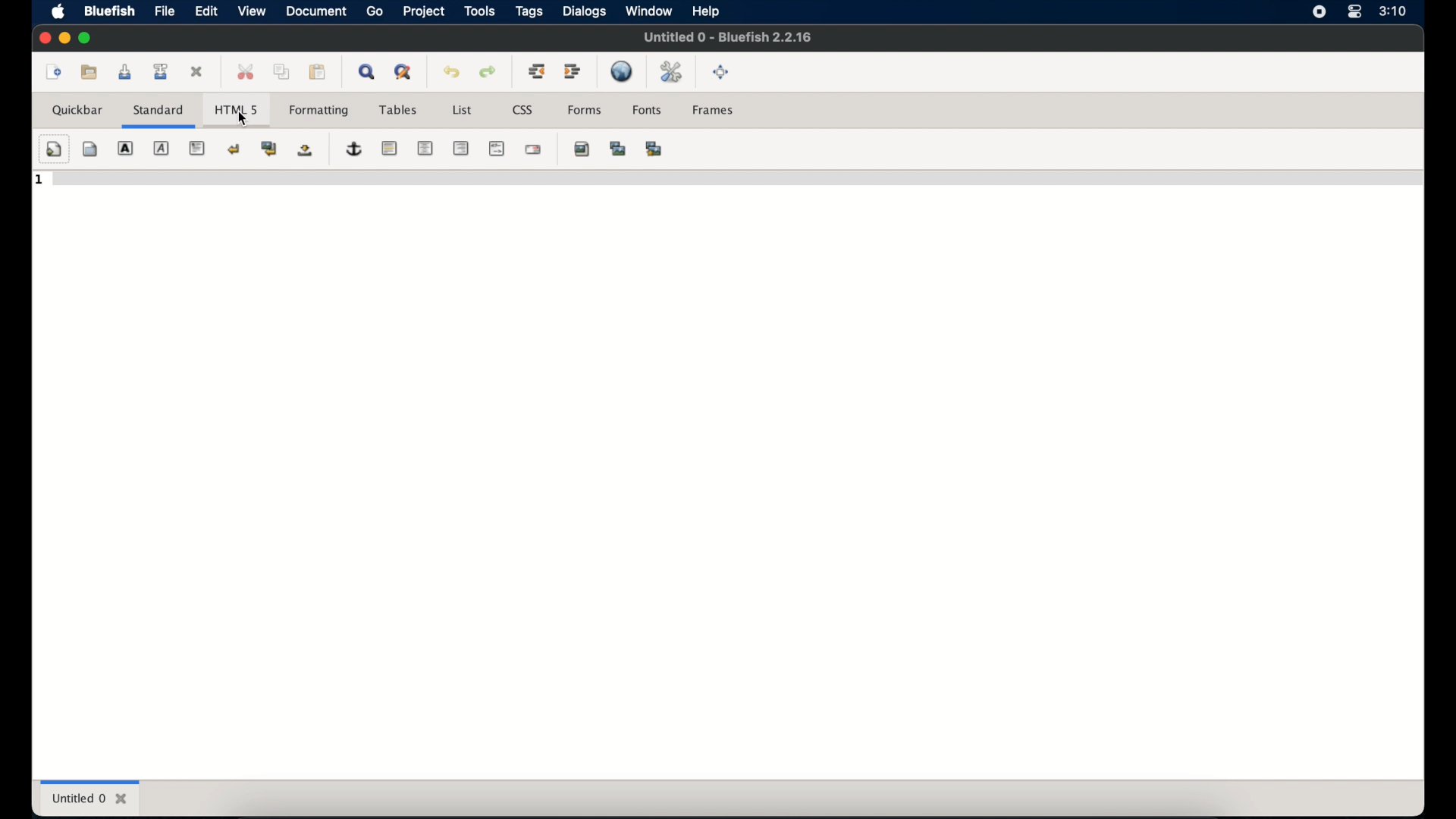  Describe the element at coordinates (584, 110) in the screenshot. I see `forms` at that location.